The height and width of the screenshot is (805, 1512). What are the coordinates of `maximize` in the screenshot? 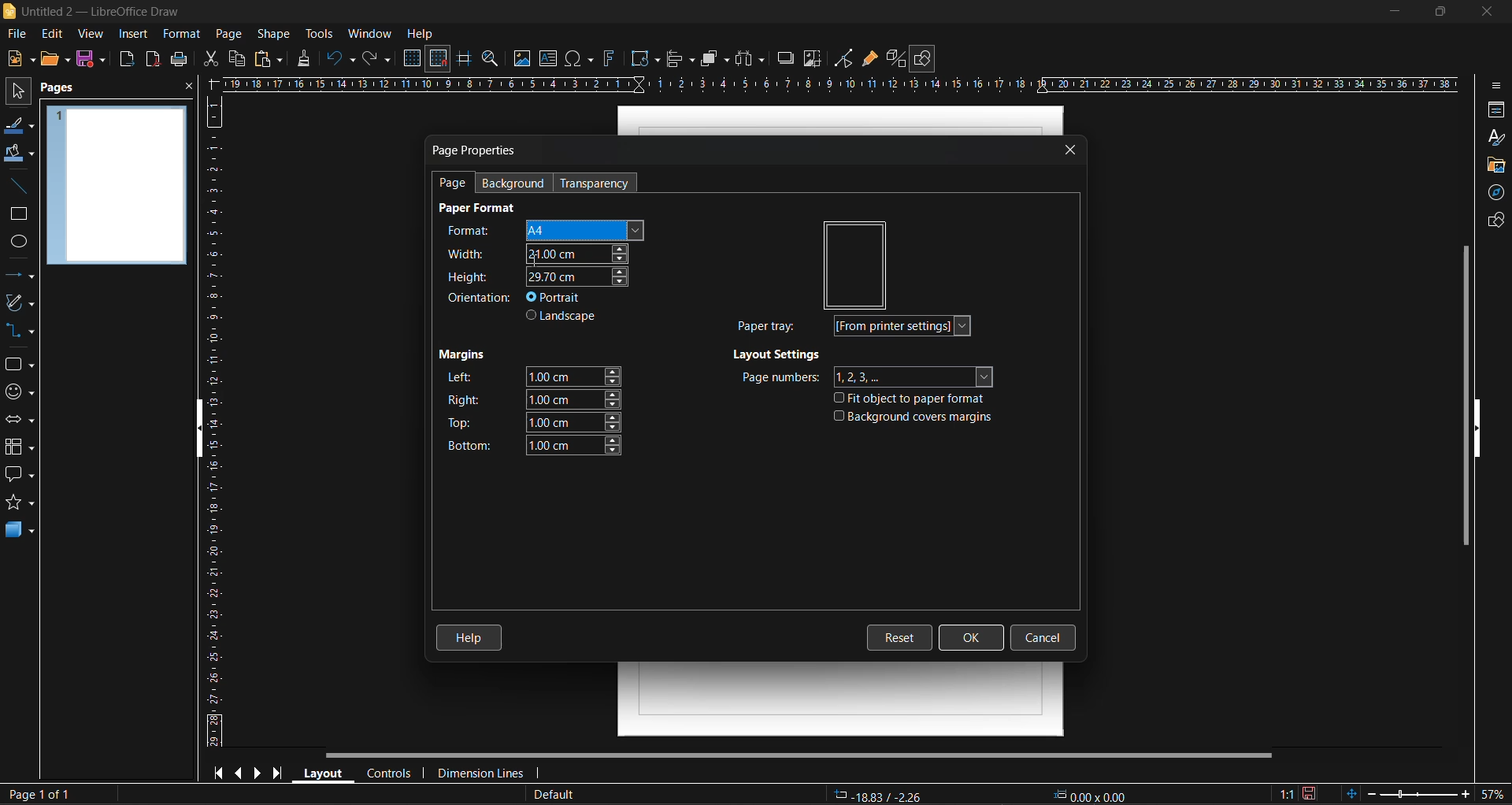 It's located at (1436, 13).